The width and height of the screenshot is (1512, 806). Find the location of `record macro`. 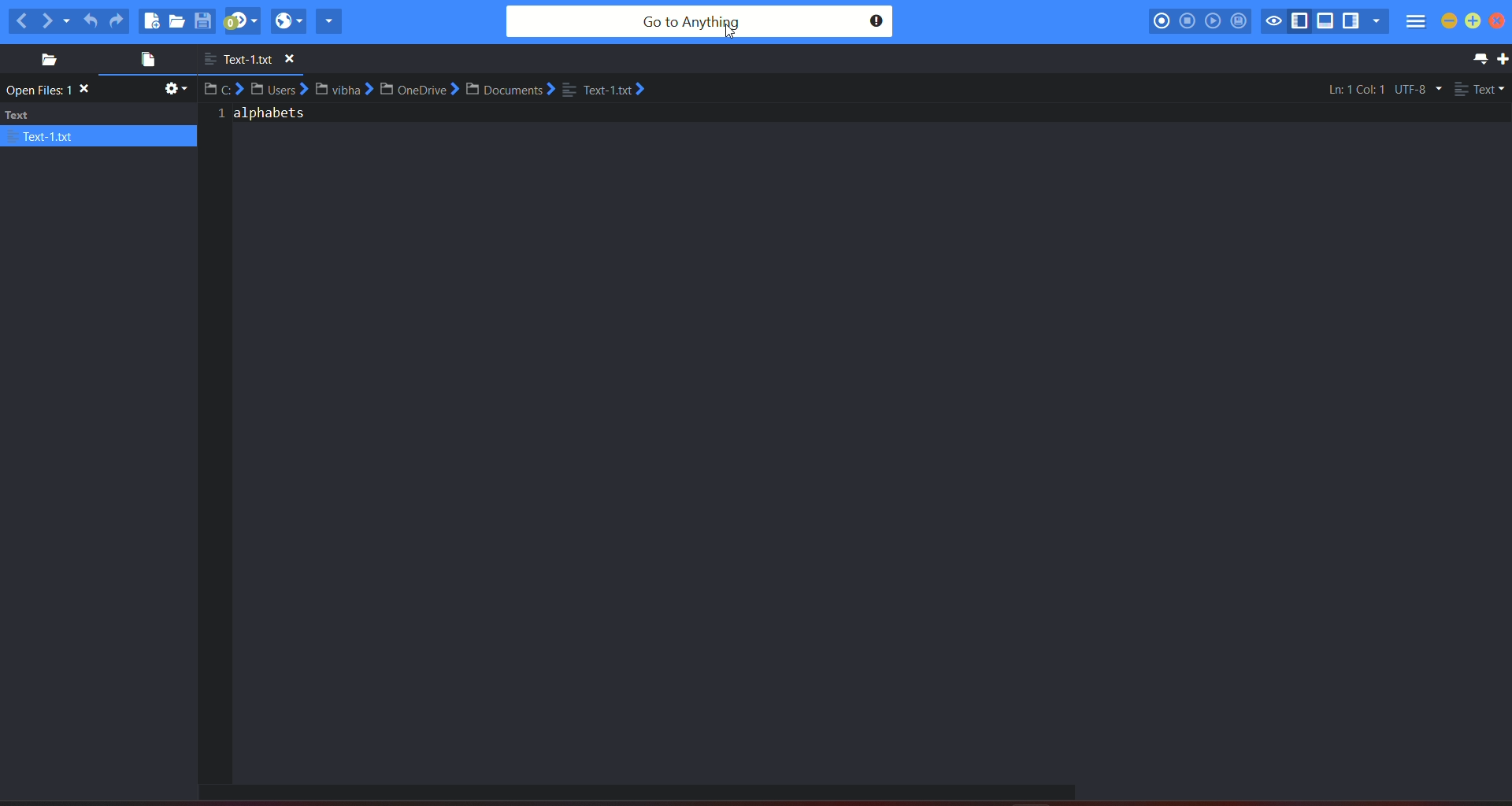

record macro is located at coordinates (1162, 20).